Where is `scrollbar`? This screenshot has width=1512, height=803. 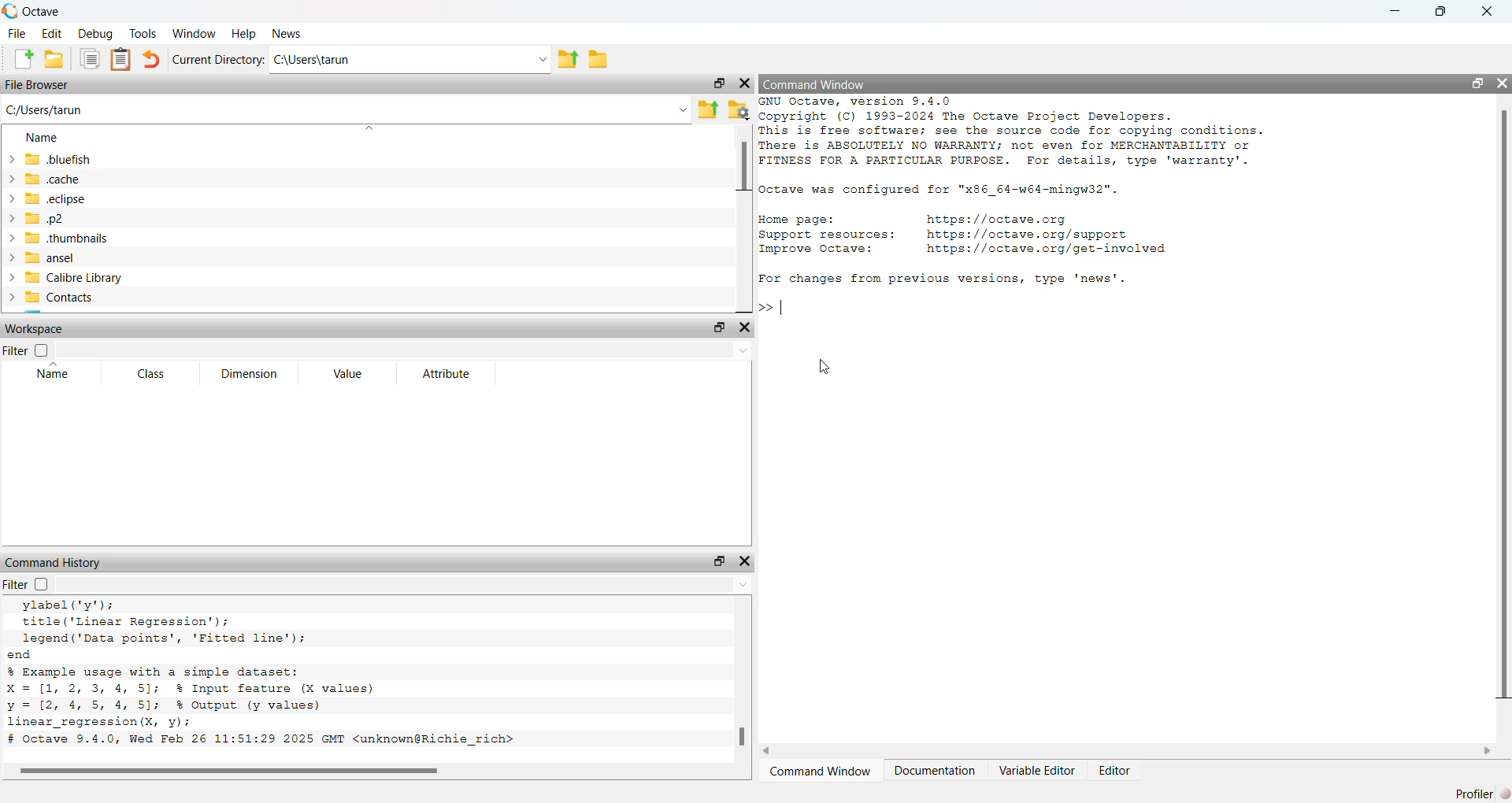 scrollbar is located at coordinates (744, 176).